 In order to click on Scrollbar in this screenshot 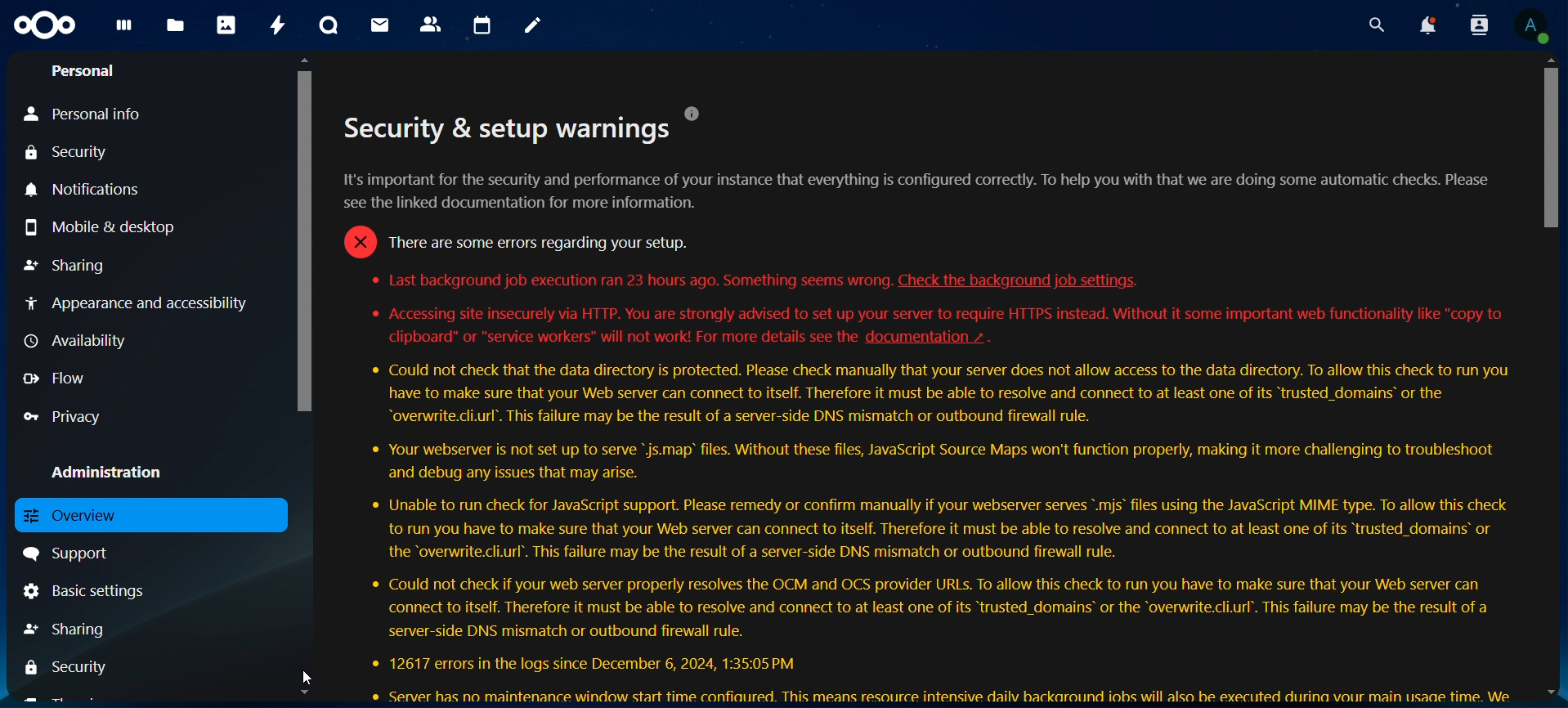, I will do `click(307, 379)`.